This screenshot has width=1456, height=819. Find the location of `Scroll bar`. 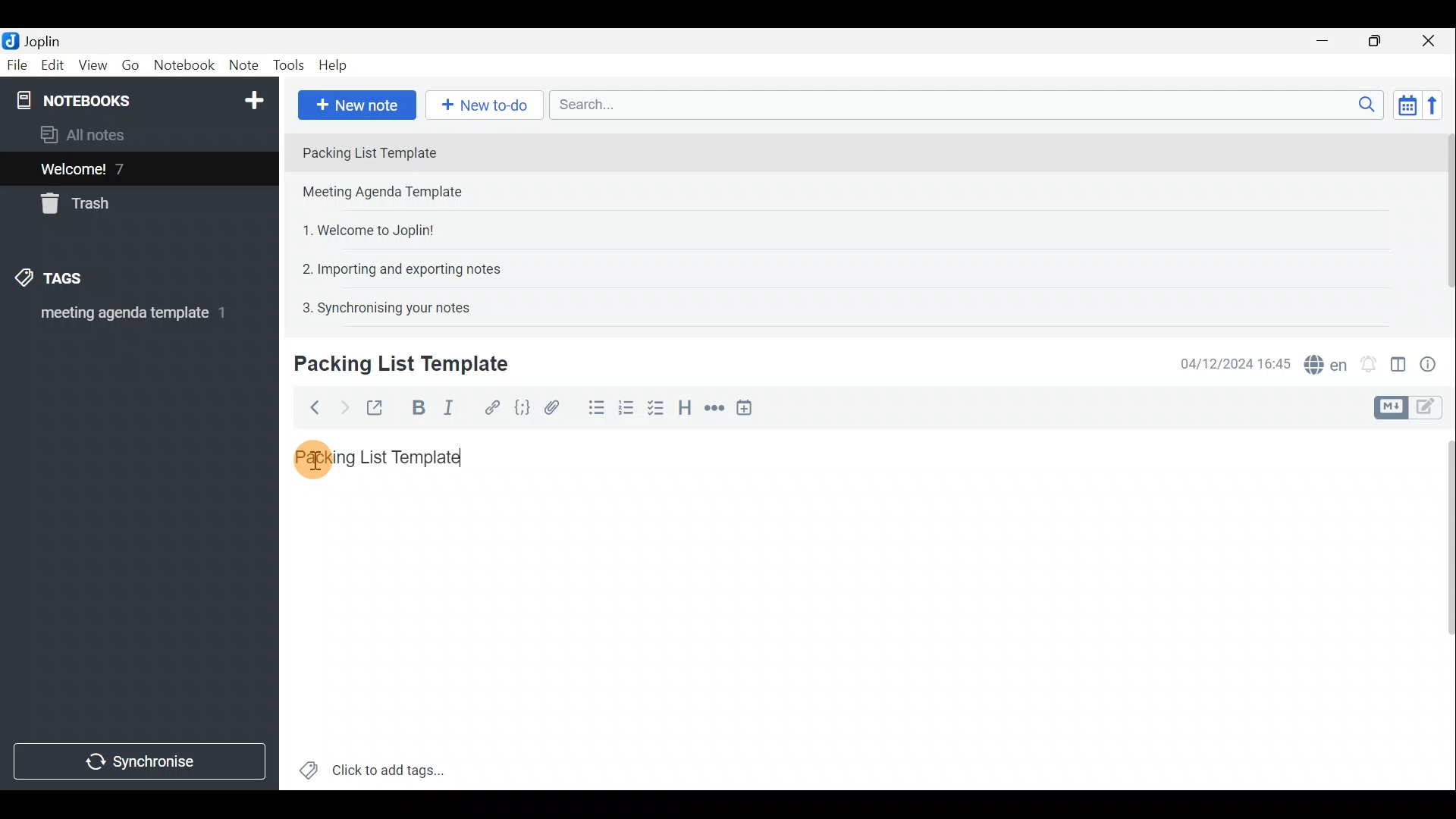

Scroll bar is located at coordinates (1442, 607).